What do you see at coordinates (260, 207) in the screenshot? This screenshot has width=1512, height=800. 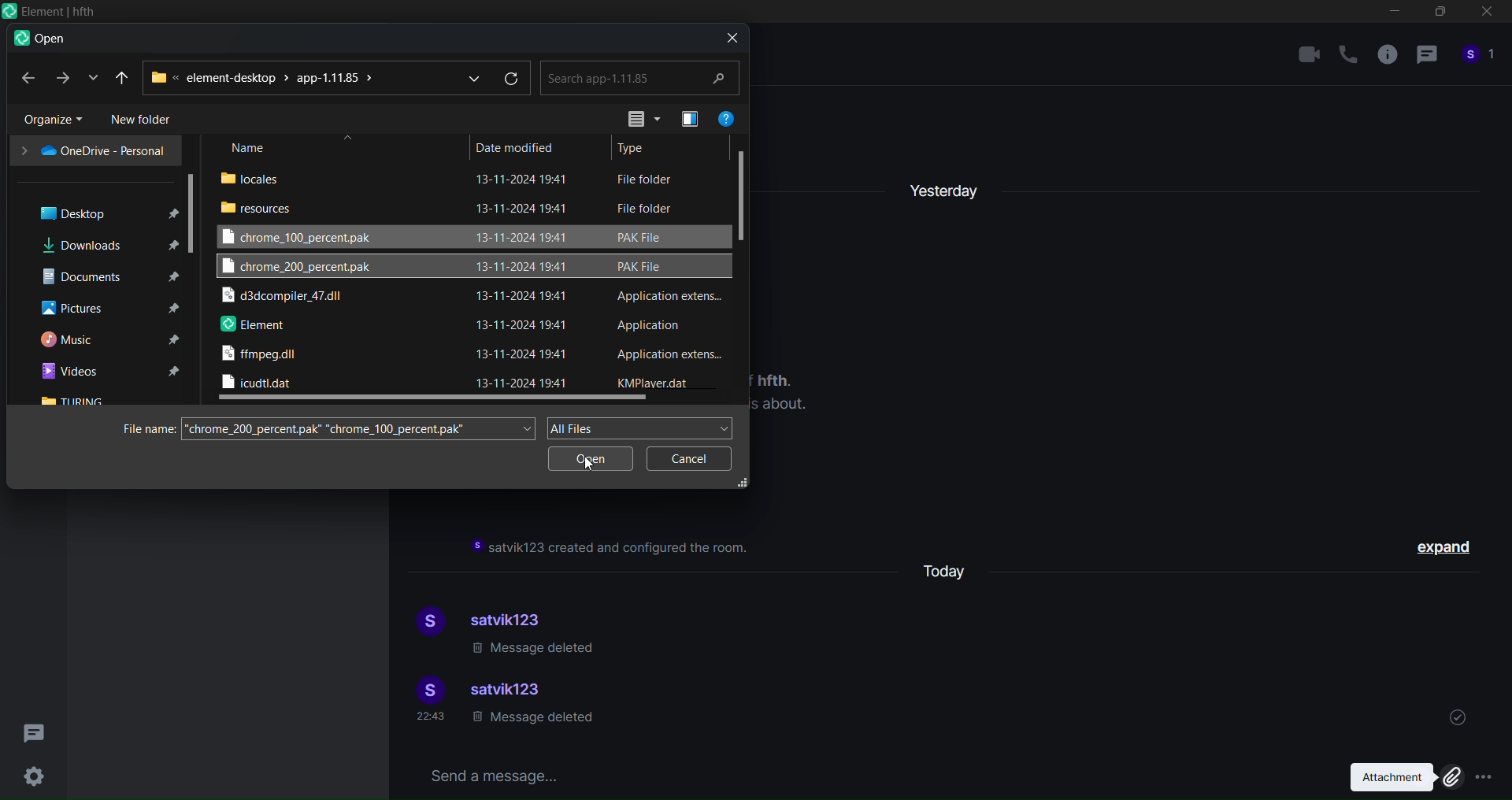 I see `resouces` at bounding box center [260, 207].